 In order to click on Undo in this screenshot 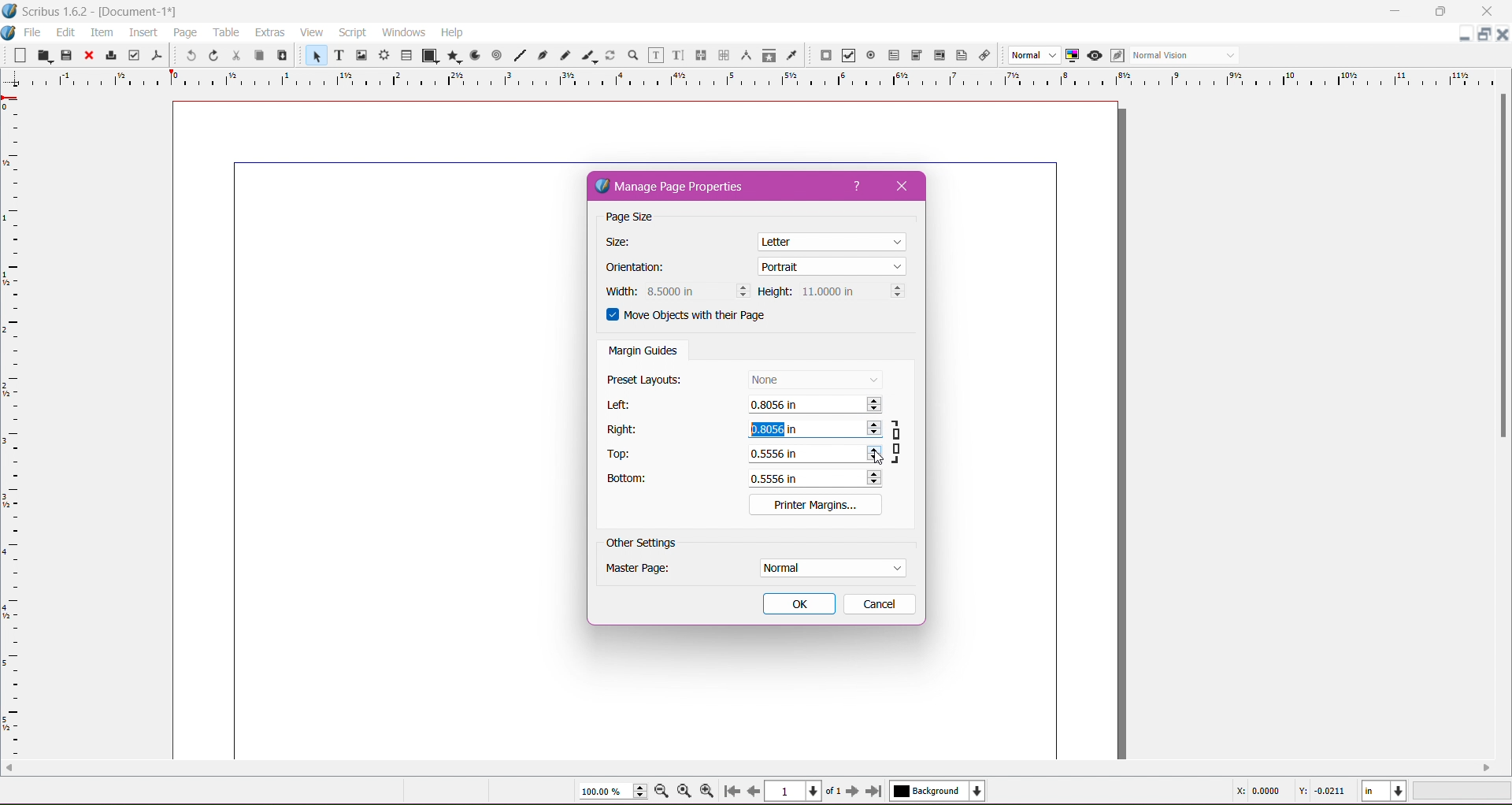, I will do `click(188, 57)`.